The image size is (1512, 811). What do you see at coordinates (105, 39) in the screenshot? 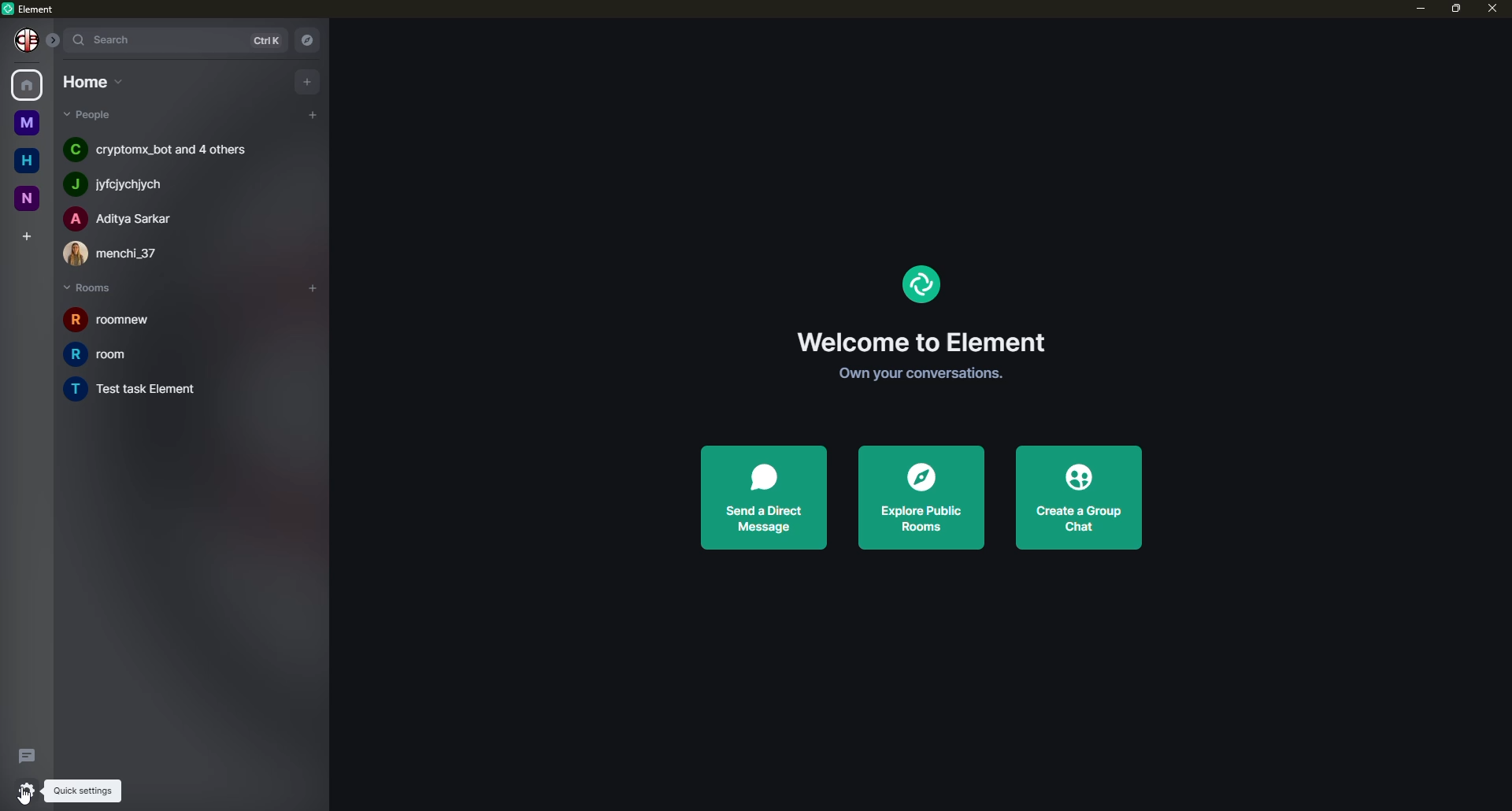
I see `search` at bounding box center [105, 39].